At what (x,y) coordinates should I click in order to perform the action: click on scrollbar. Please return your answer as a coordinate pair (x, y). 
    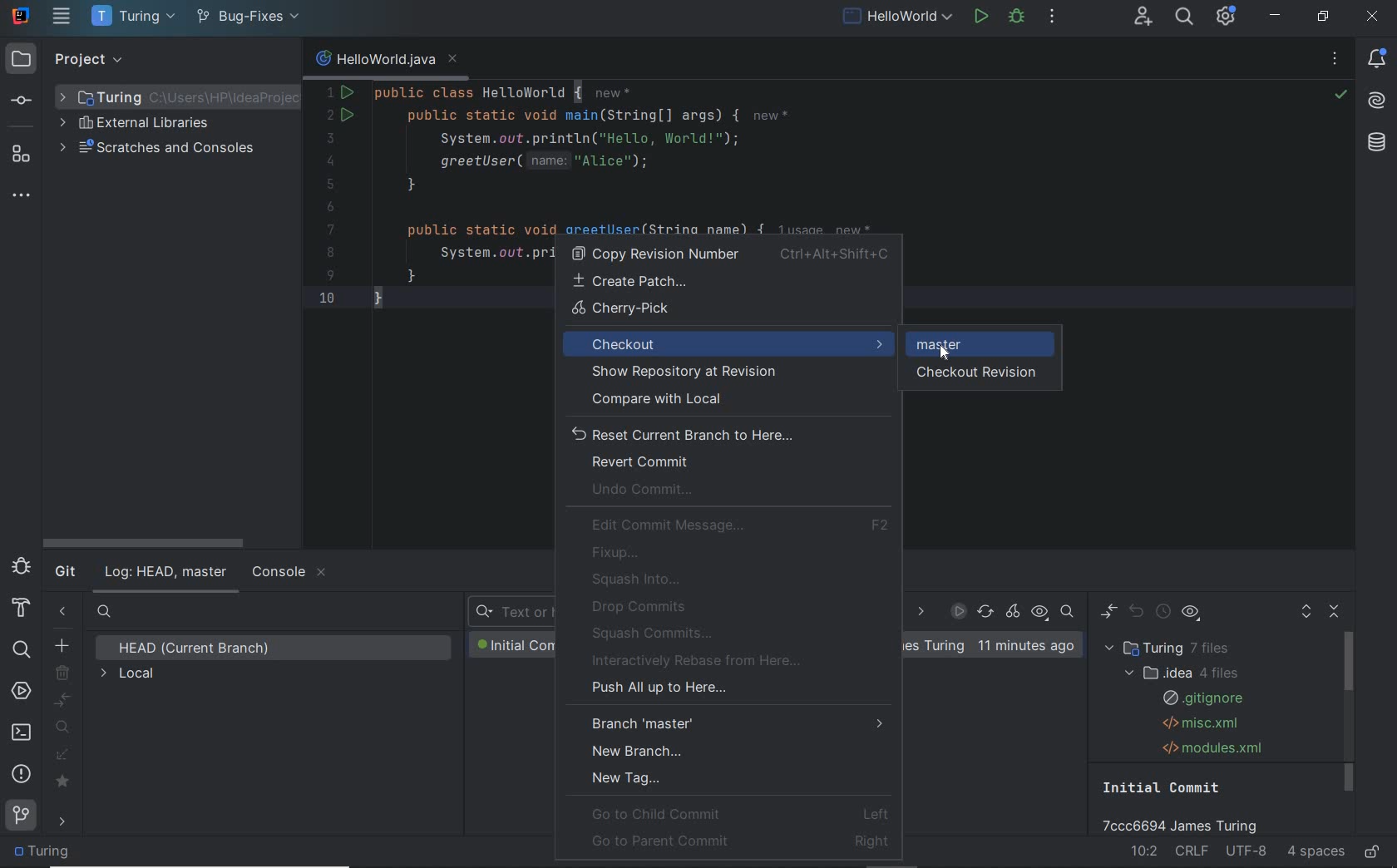
    Looking at the image, I should click on (141, 543).